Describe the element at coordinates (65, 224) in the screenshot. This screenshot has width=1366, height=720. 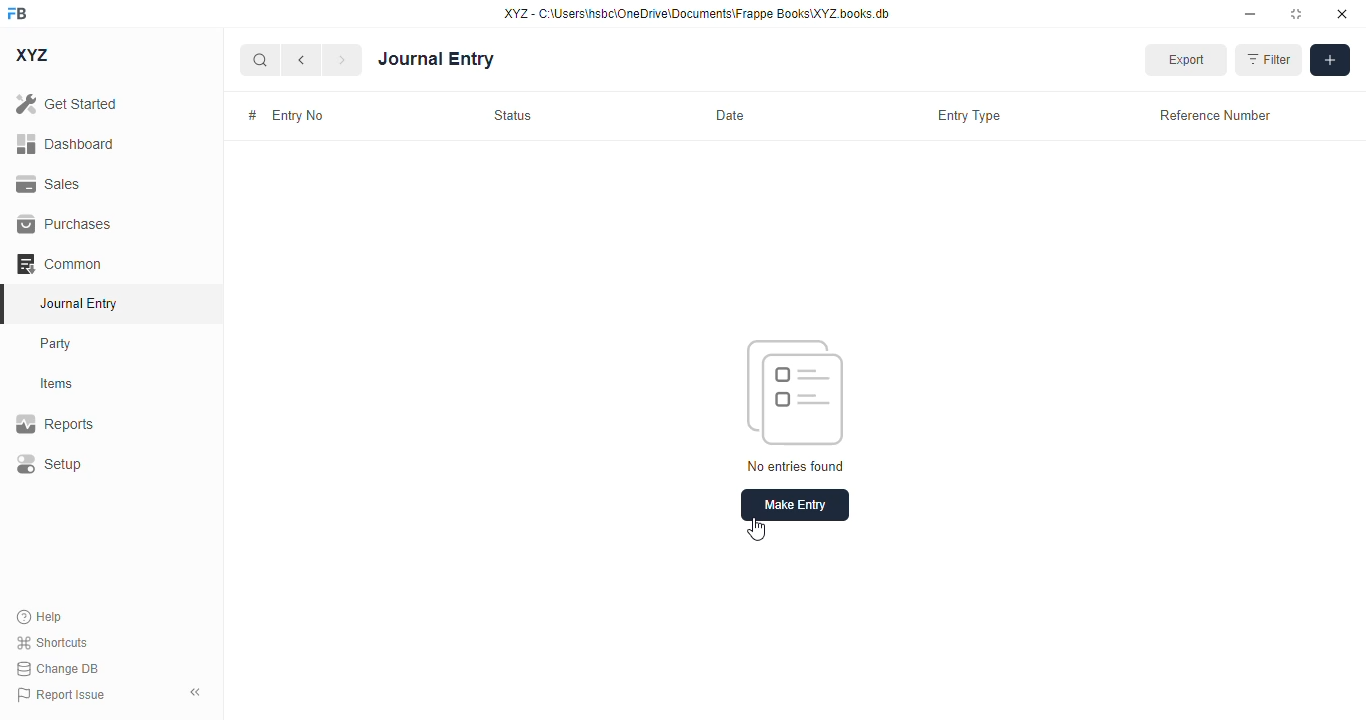
I see `purchases` at that location.